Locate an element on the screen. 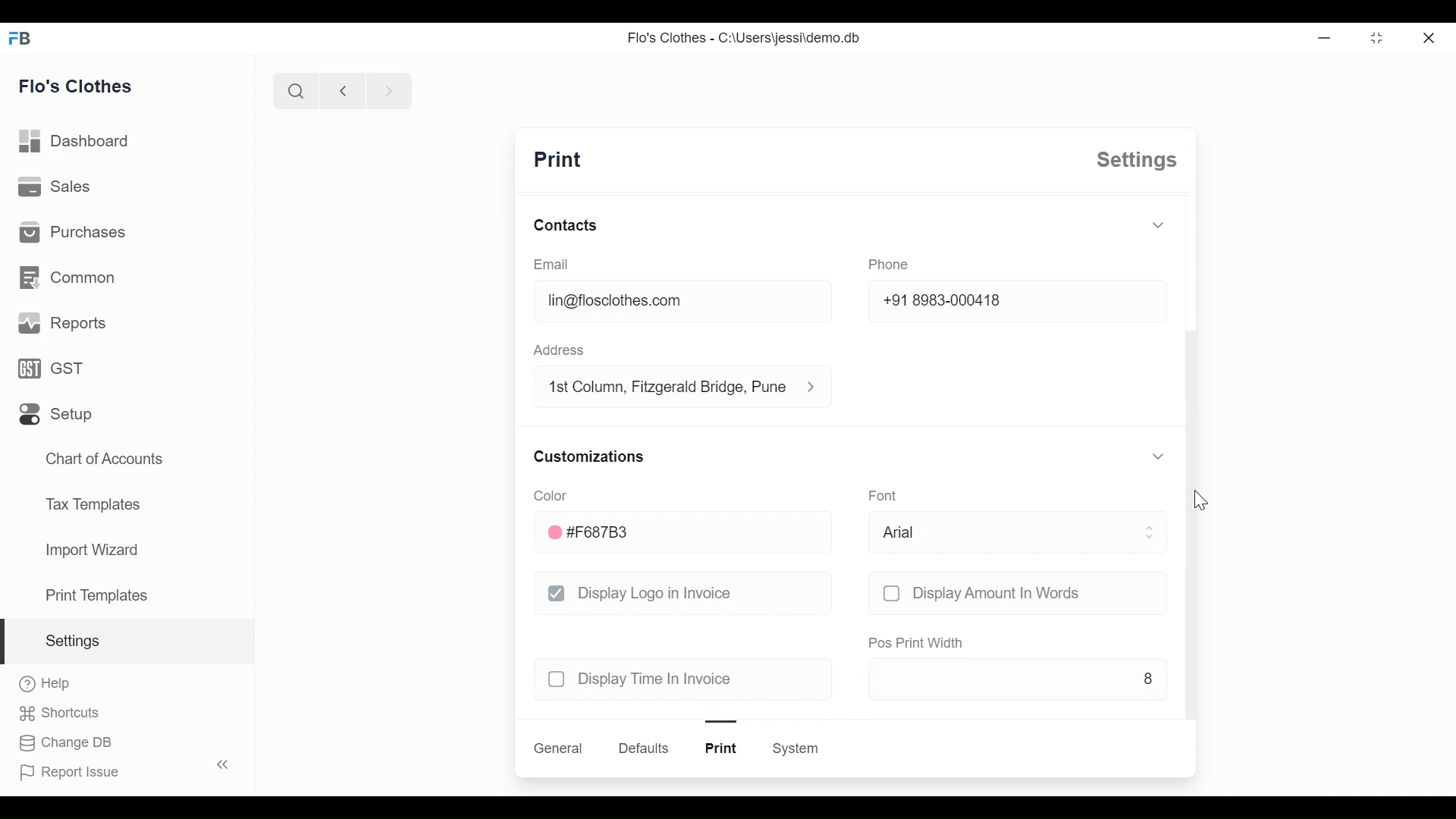 Image resolution: width=1456 pixels, height=819 pixels. Minimize is located at coordinates (1322, 37).